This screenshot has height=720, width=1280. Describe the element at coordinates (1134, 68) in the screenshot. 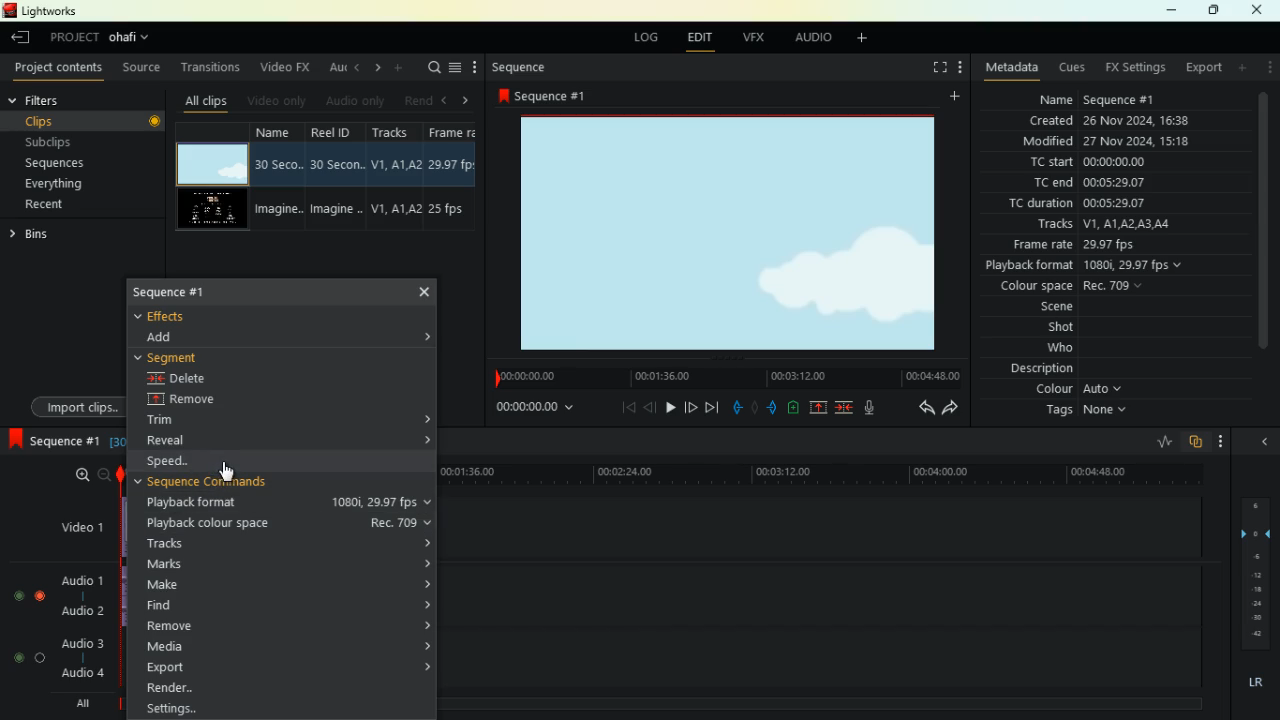

I see `fx settings` at that location.